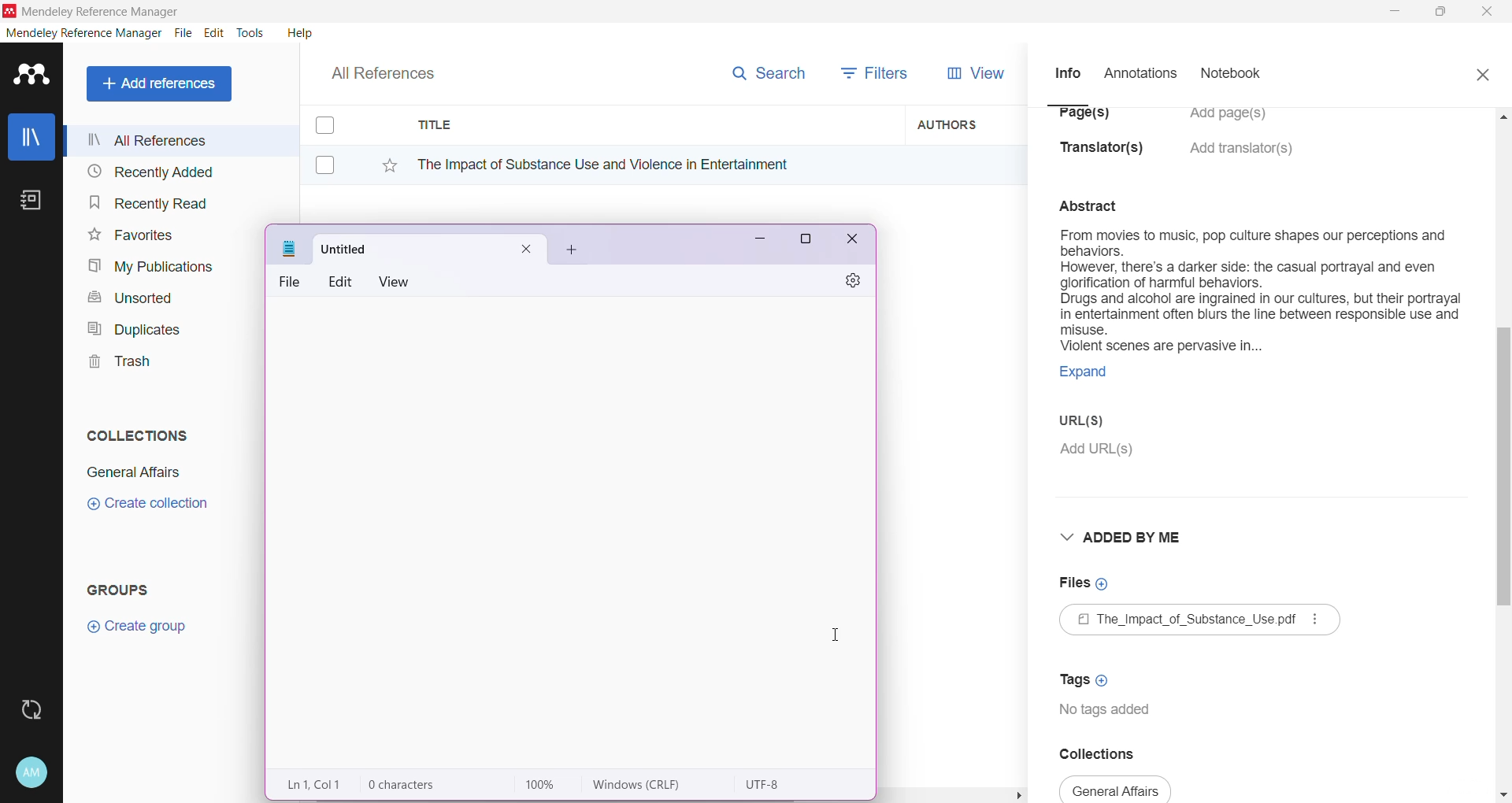 The image size is (1512, 803). I want to click on Vertical Scroll Bar, so click(1503, 453).